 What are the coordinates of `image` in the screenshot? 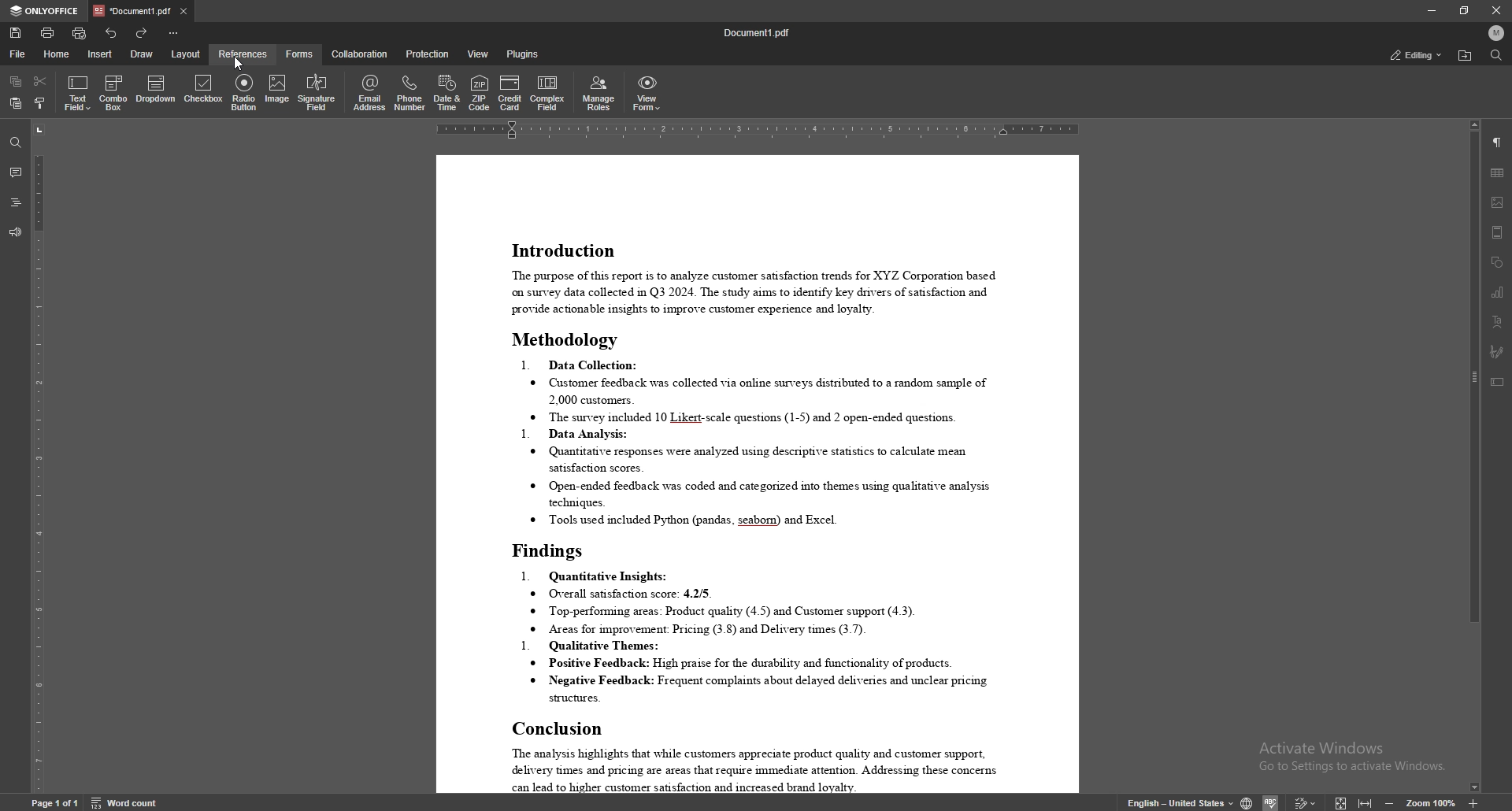 It's located at (278, 91).